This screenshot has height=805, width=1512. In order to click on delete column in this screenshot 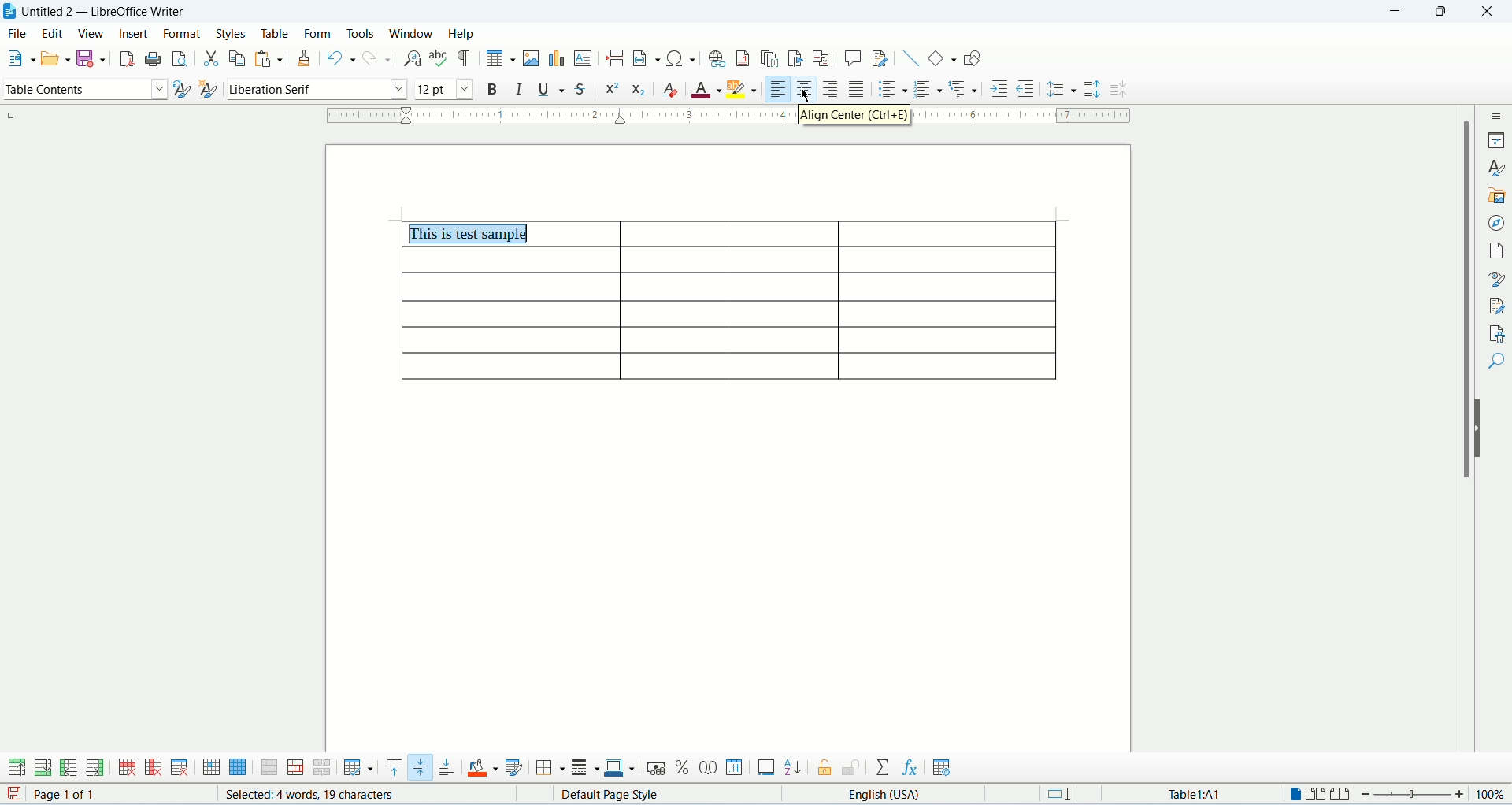, I will do `click(154, 769)`.